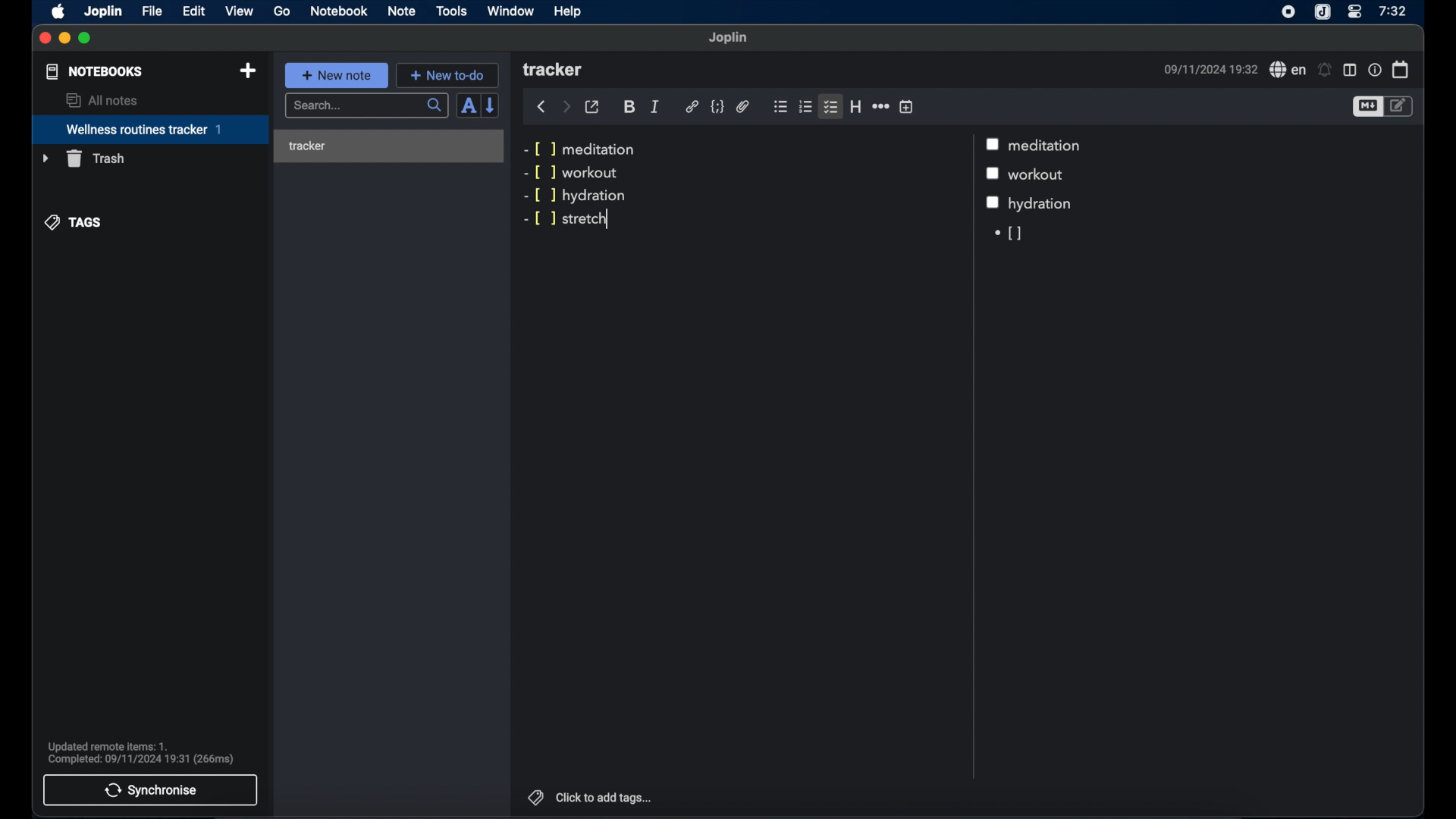  I want to click on toggle editor, so click(1401, 107).